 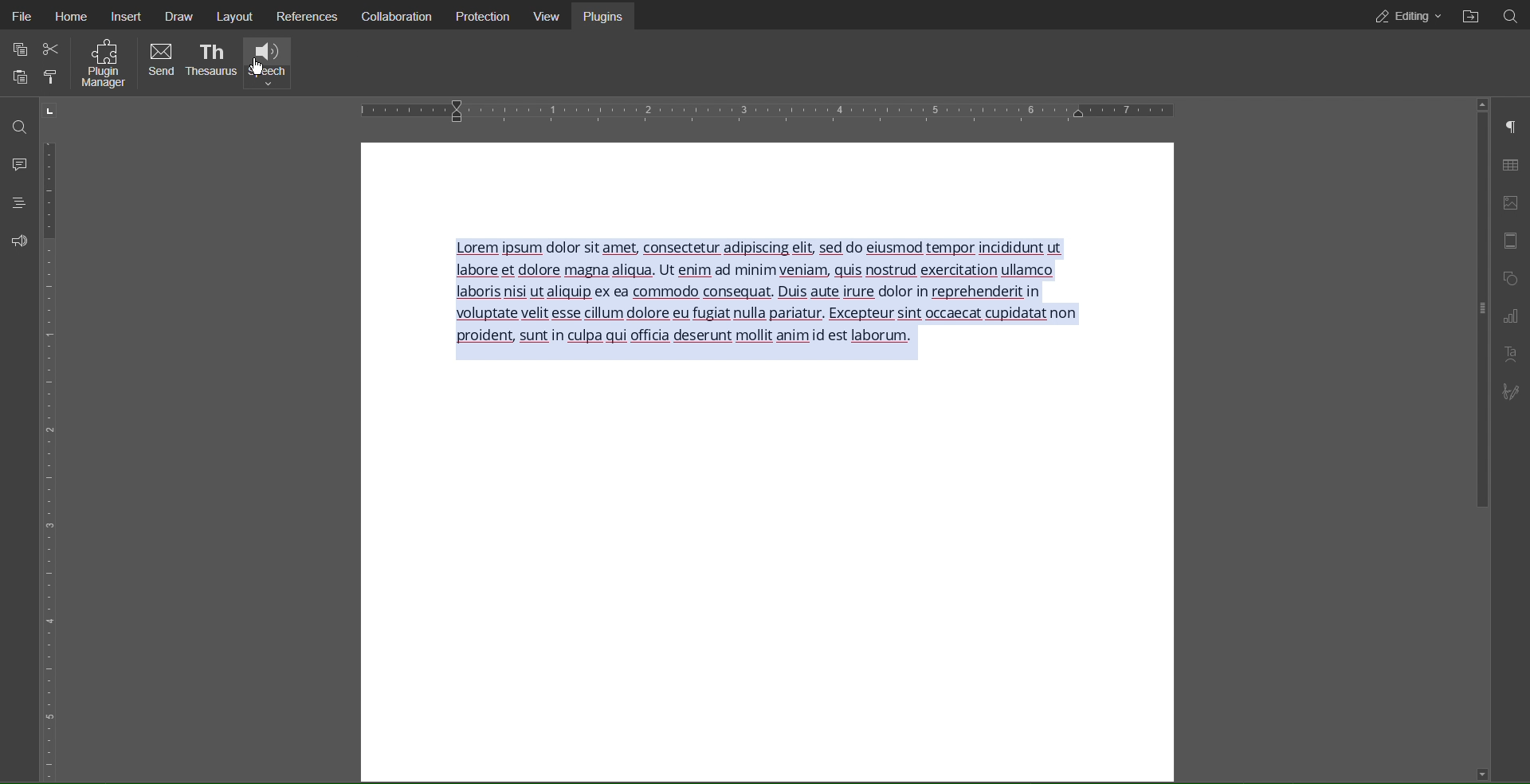 What do you see at coordinates (14, 163) in the screenshot?
I see `Comment` at bounding box center [14, 163].